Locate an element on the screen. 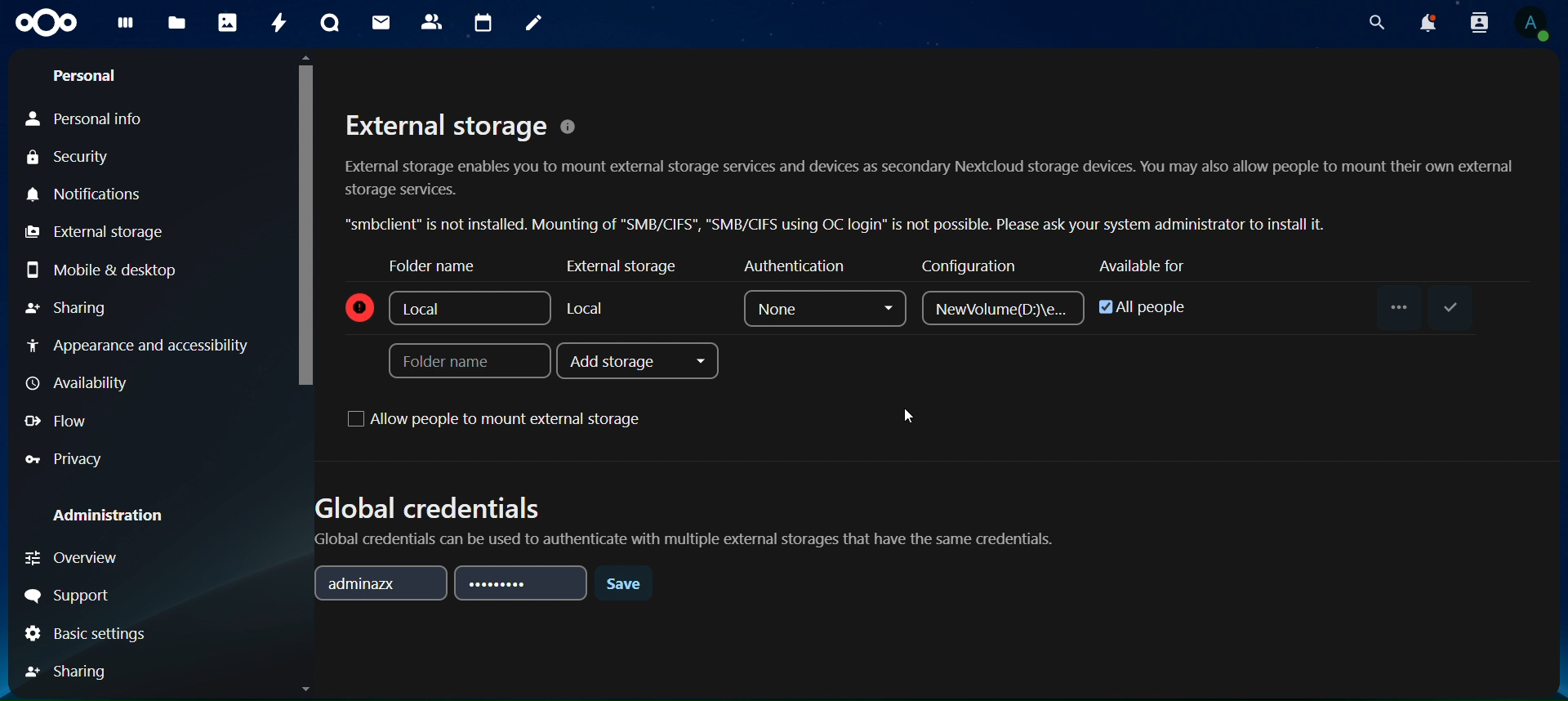 This screenshot has width=1568, height=701. contact is located at coordinates (433, 22).